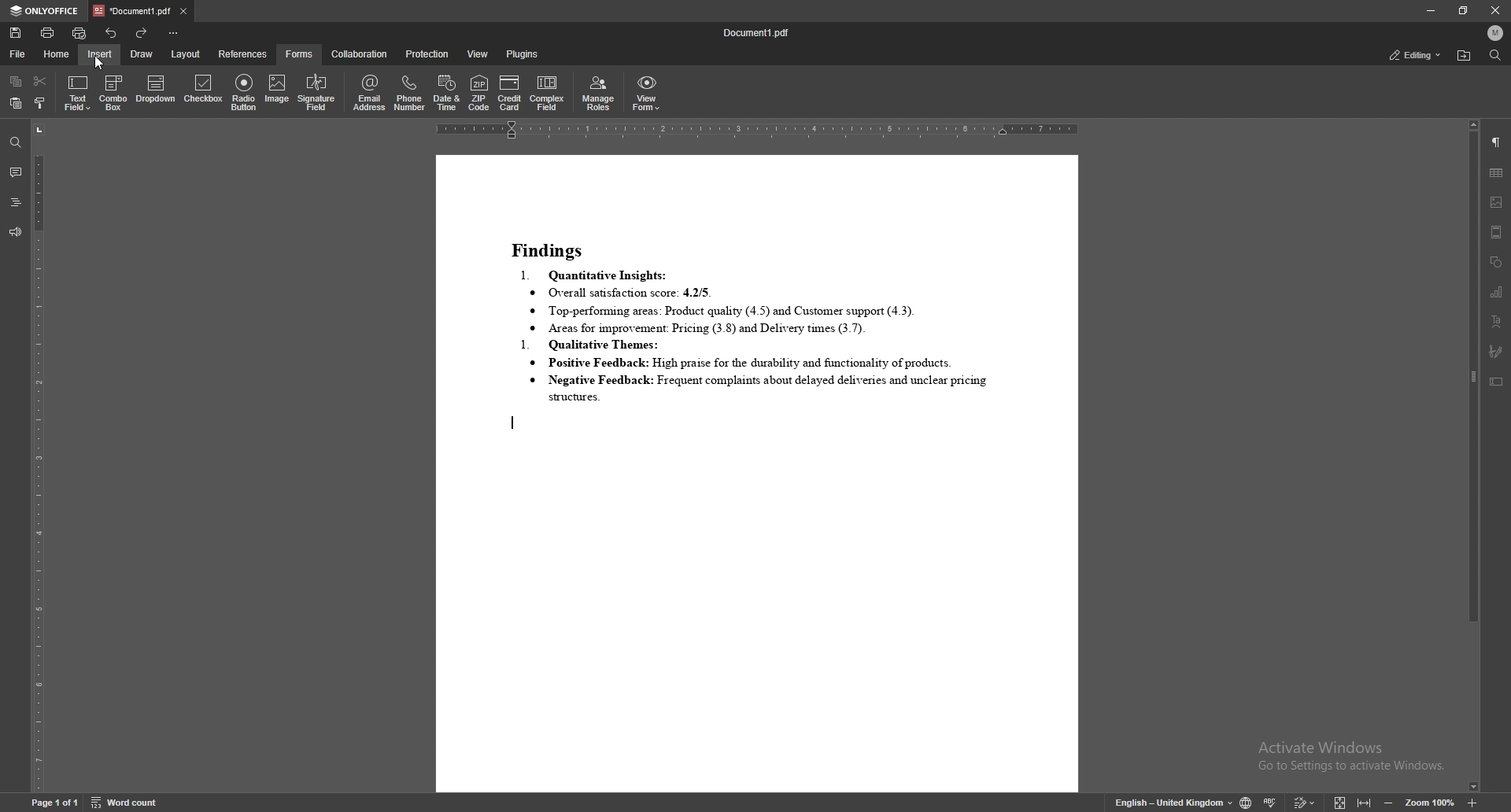  Describe the element at coordinates (316, 93) in the screenshot. I see `signature field` at that location.